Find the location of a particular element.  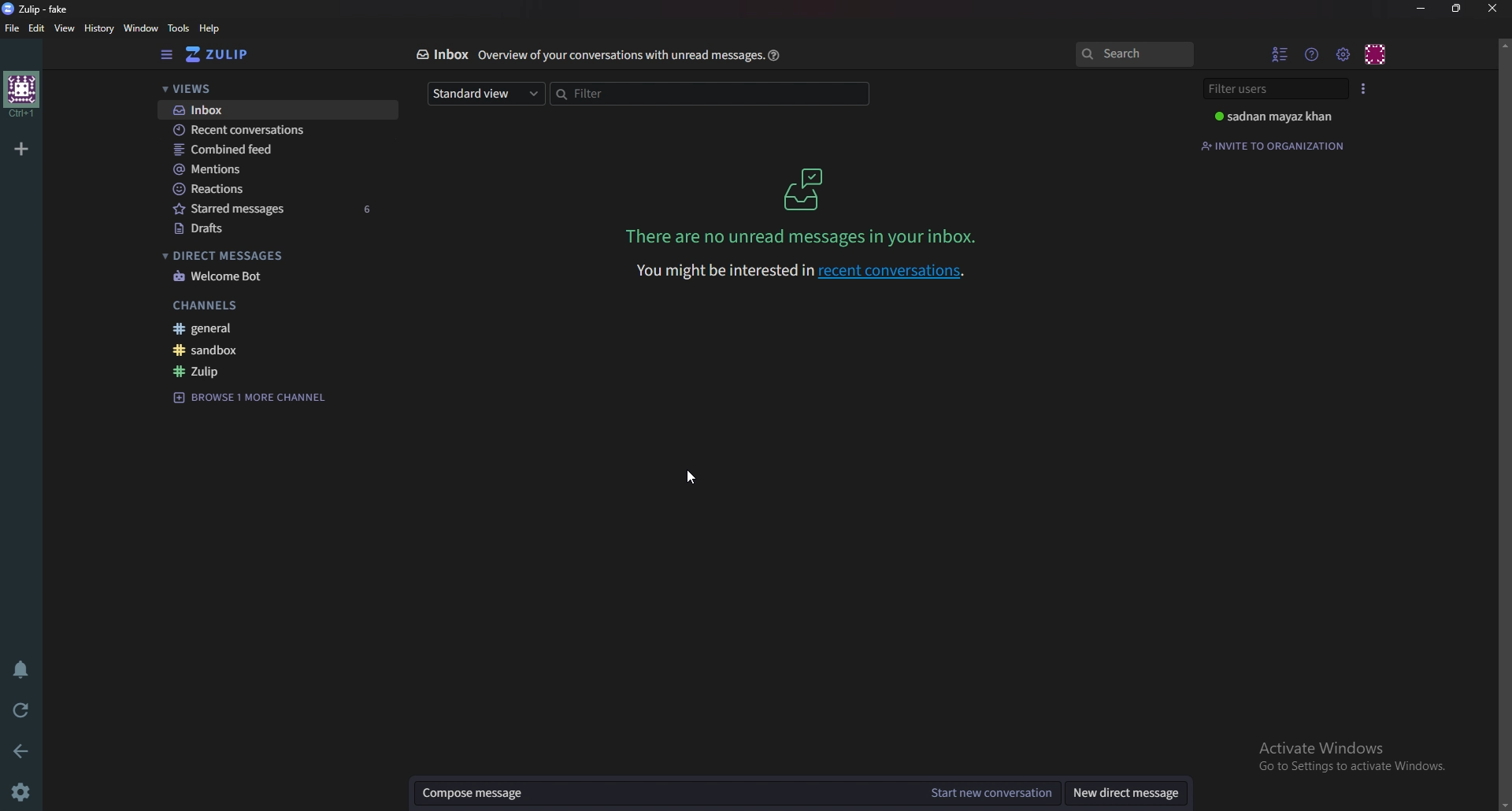

settings is located at coordinates (24, 791).